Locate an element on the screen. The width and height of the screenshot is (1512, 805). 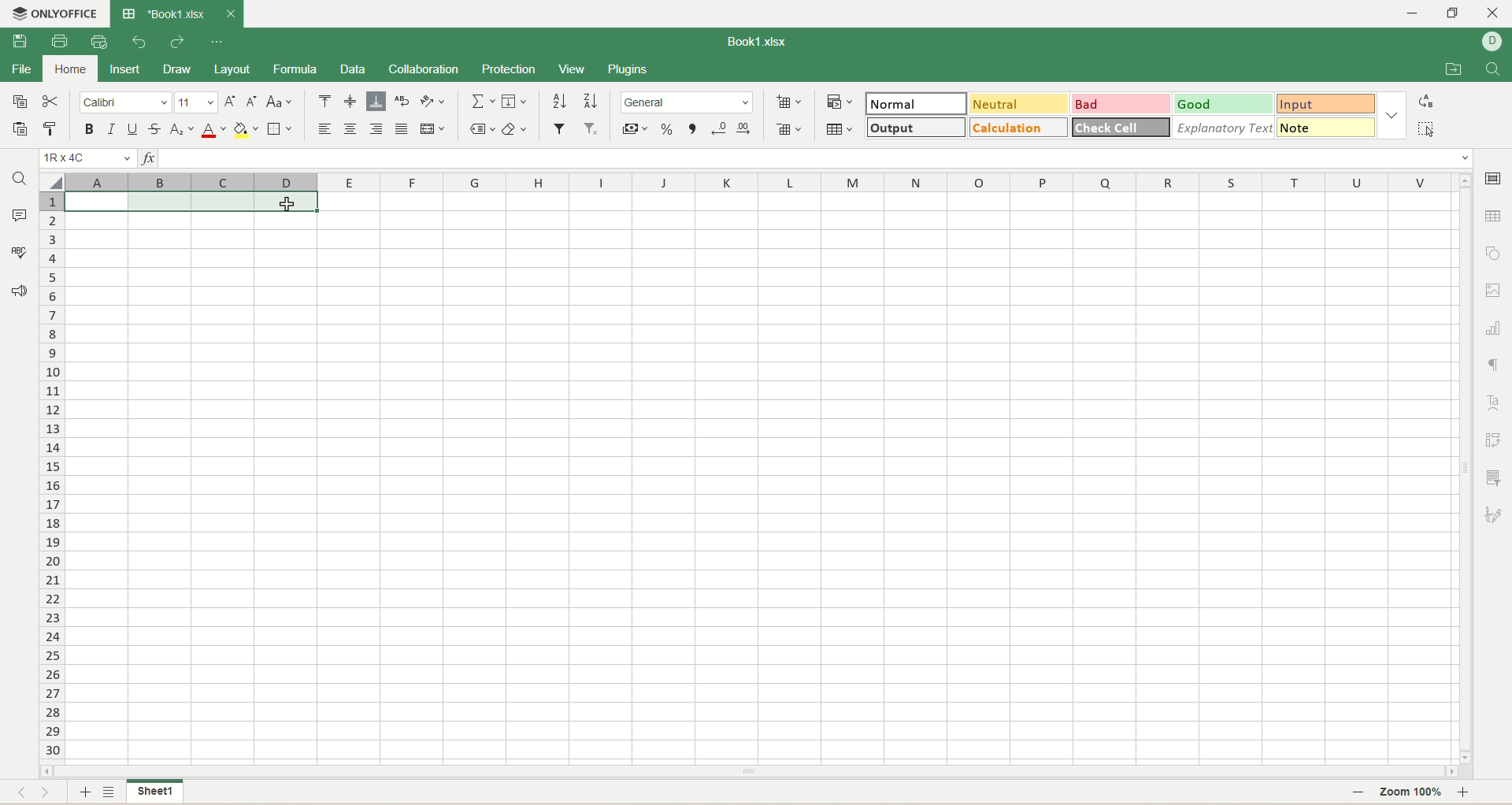
image settings is located at coordinates (1495, 290).